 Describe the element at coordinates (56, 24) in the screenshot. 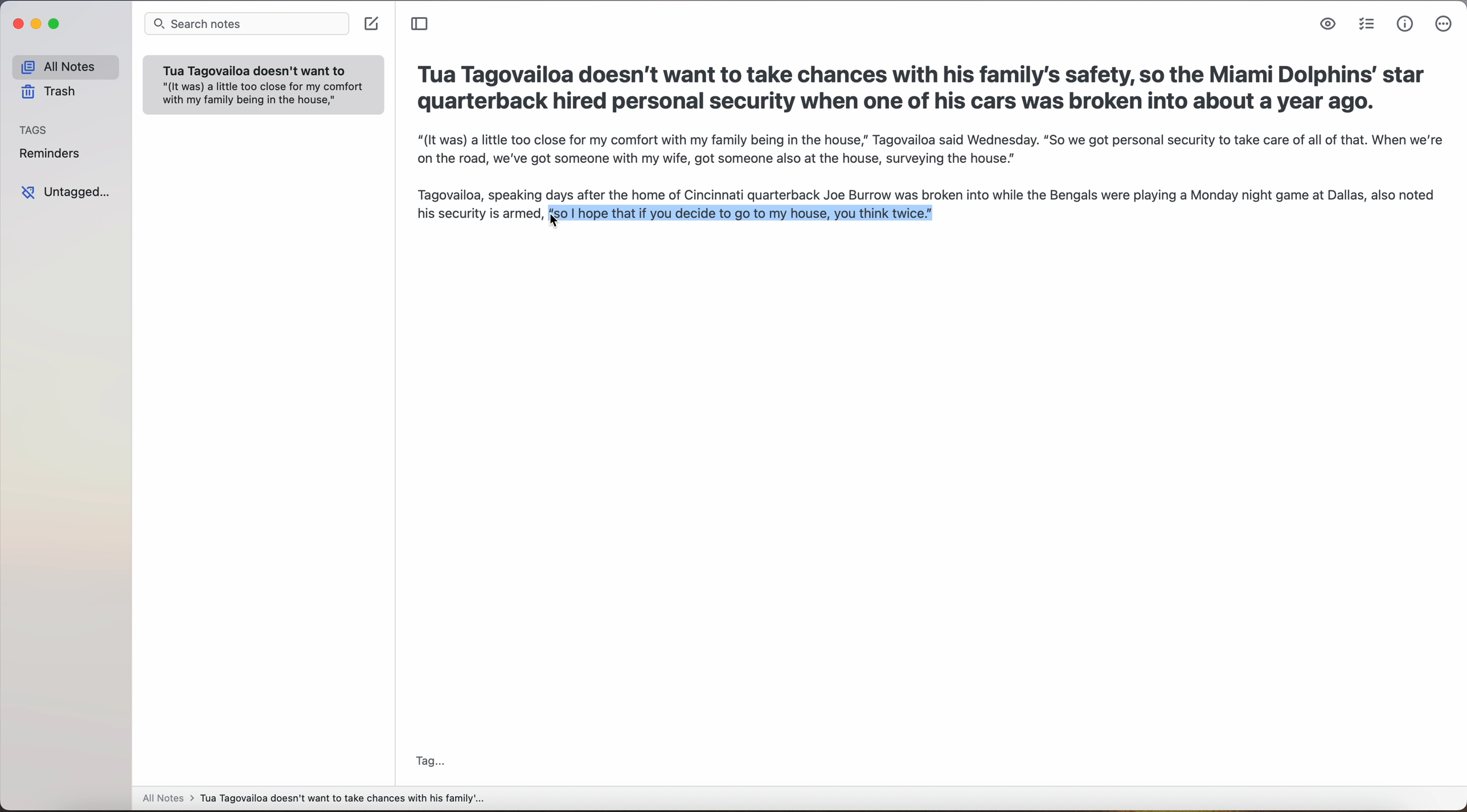

I see `maximize` at that location.